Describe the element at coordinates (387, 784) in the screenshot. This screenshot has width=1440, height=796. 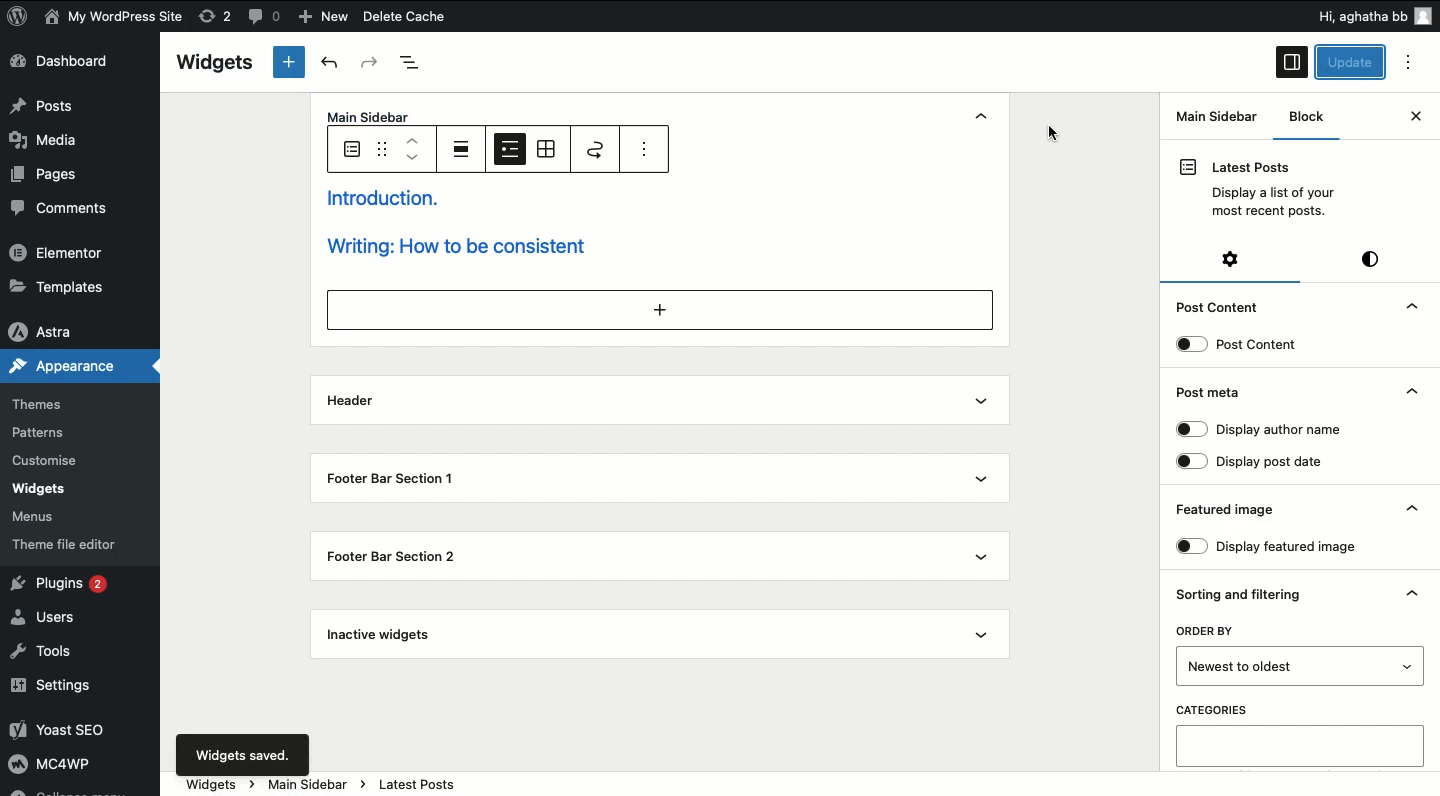
I see `widgets> main sidebar> latest posts` at that location.